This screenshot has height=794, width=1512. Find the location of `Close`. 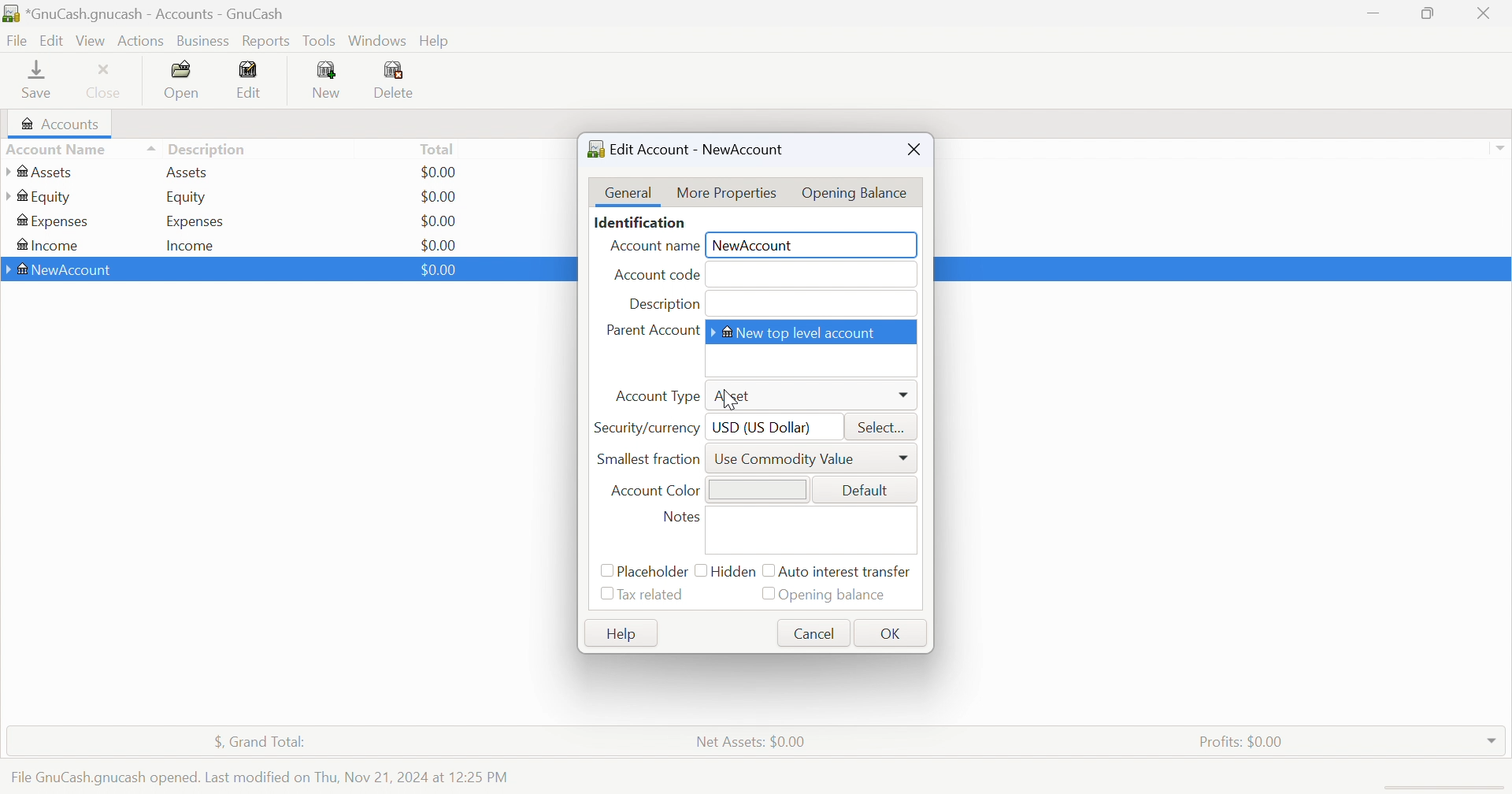

Close is located at coordinates (914, 149).